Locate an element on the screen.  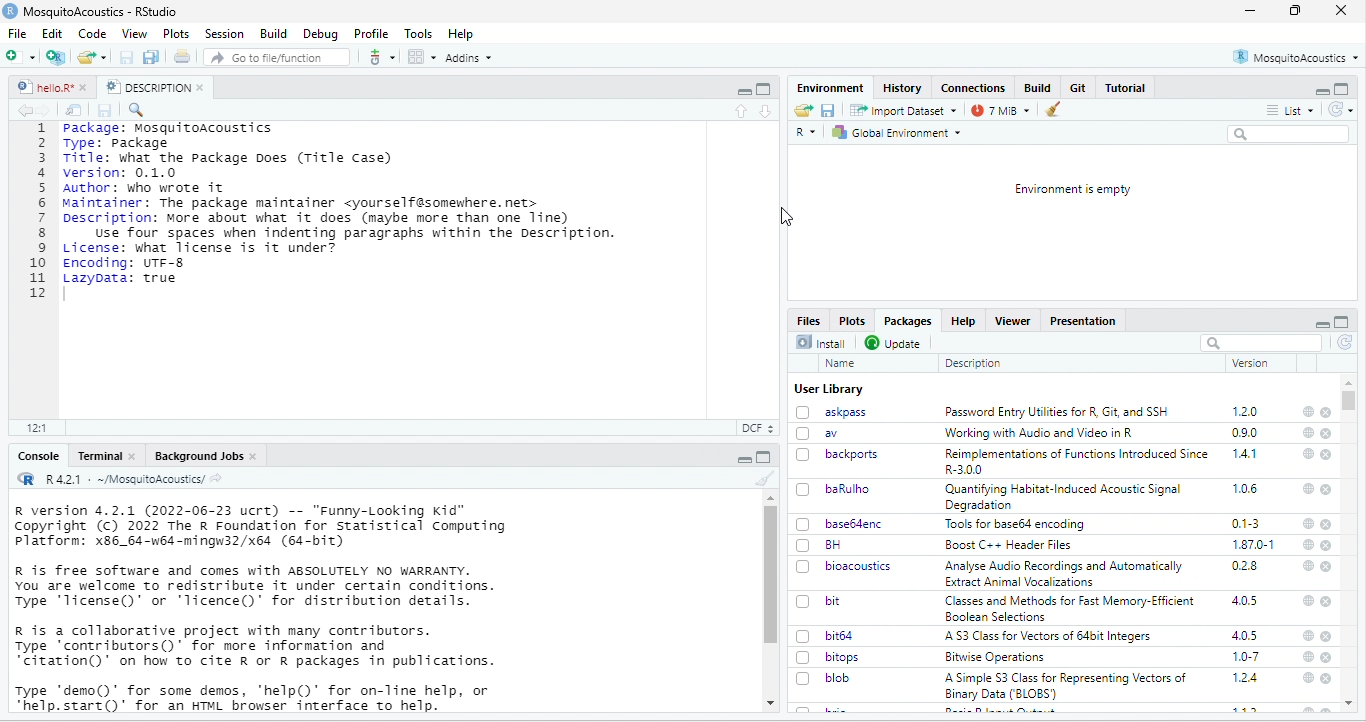
find is located at coordinates (139, 110).